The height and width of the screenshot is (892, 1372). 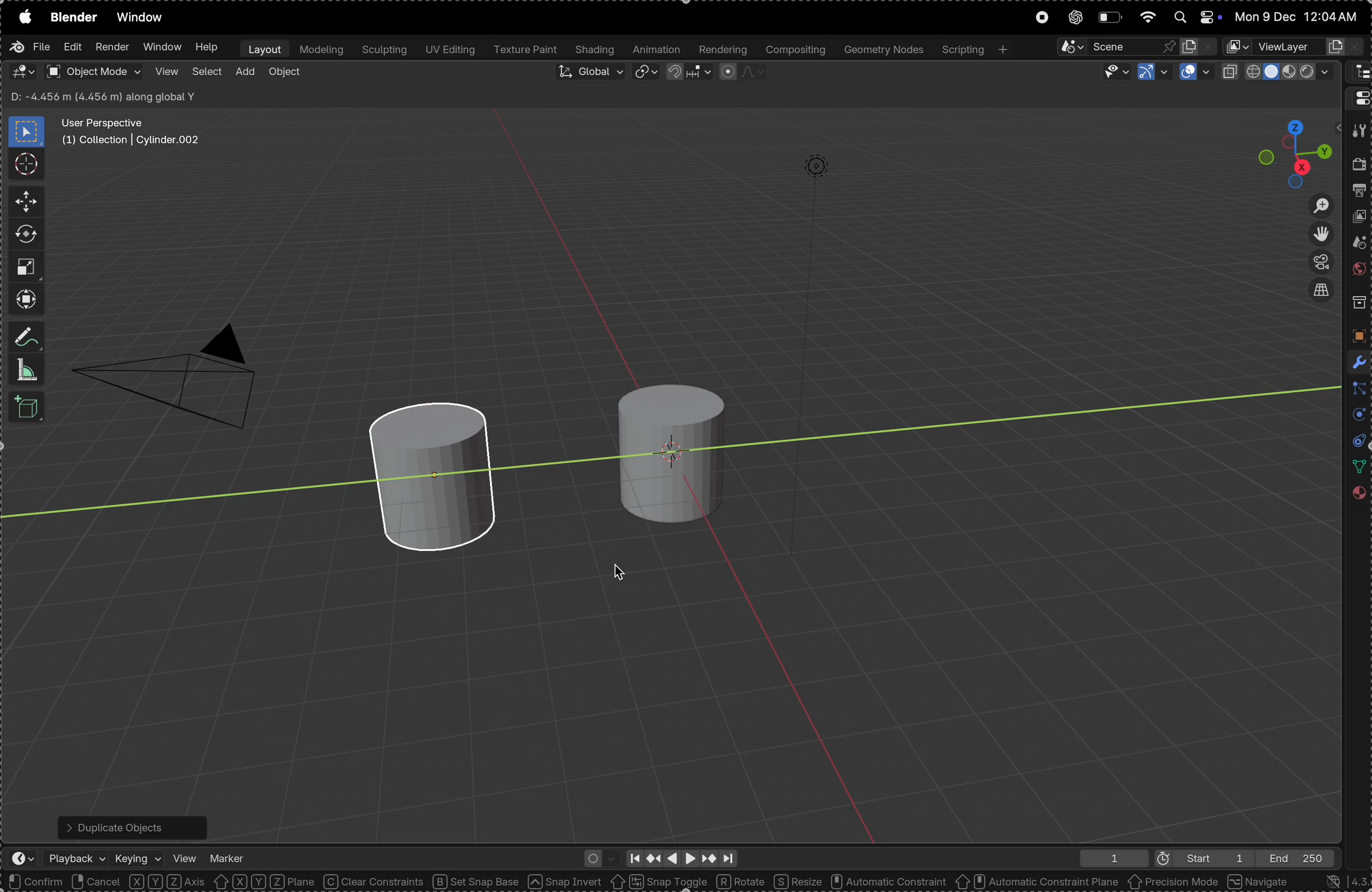 I want to click on Edit, so click(x=70, y=48).